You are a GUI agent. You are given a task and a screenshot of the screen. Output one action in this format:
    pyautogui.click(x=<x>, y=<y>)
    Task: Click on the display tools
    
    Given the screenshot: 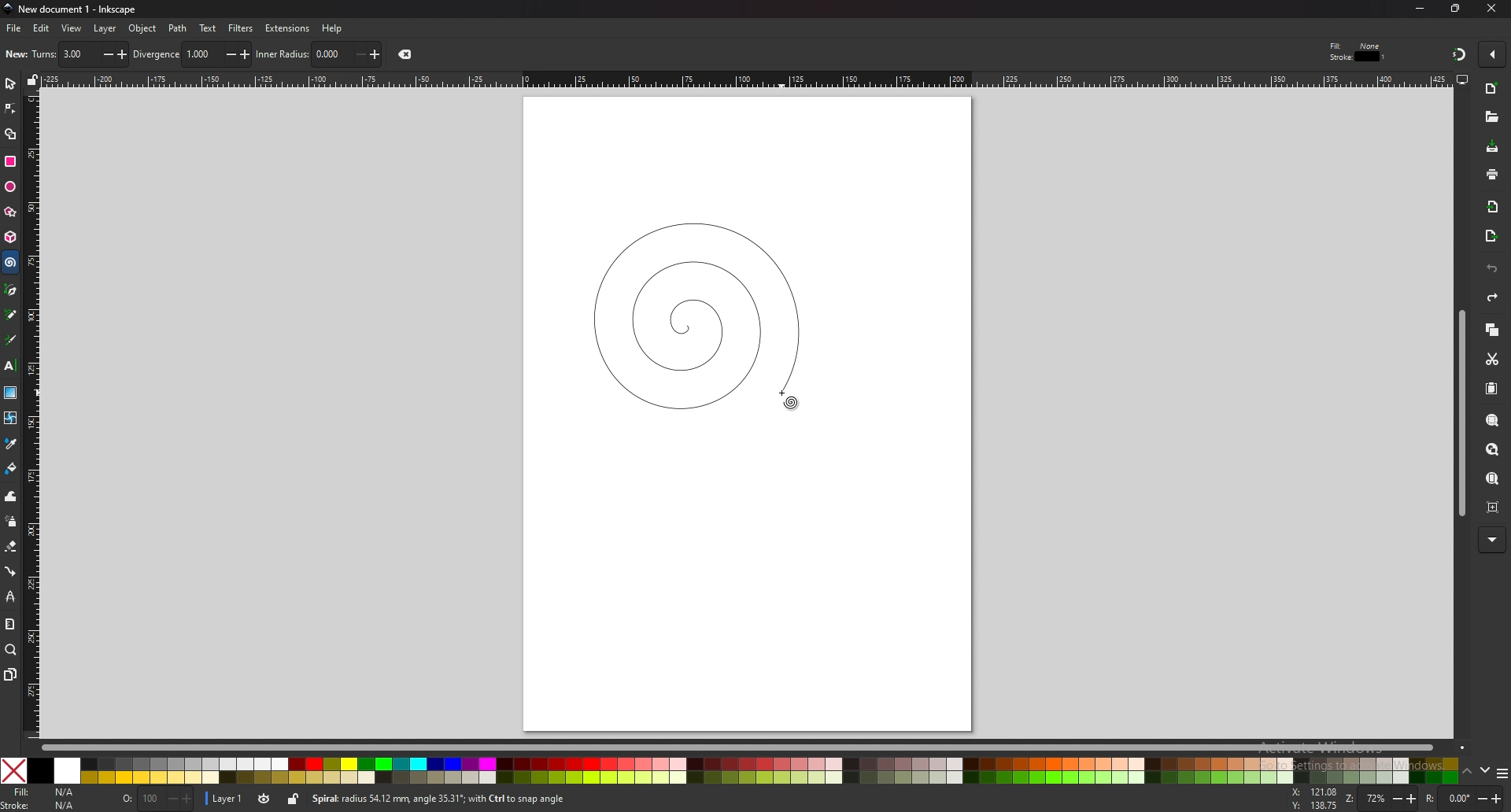 What is the action you would take?
    pyautogui.click(x=1463, y=79)
    